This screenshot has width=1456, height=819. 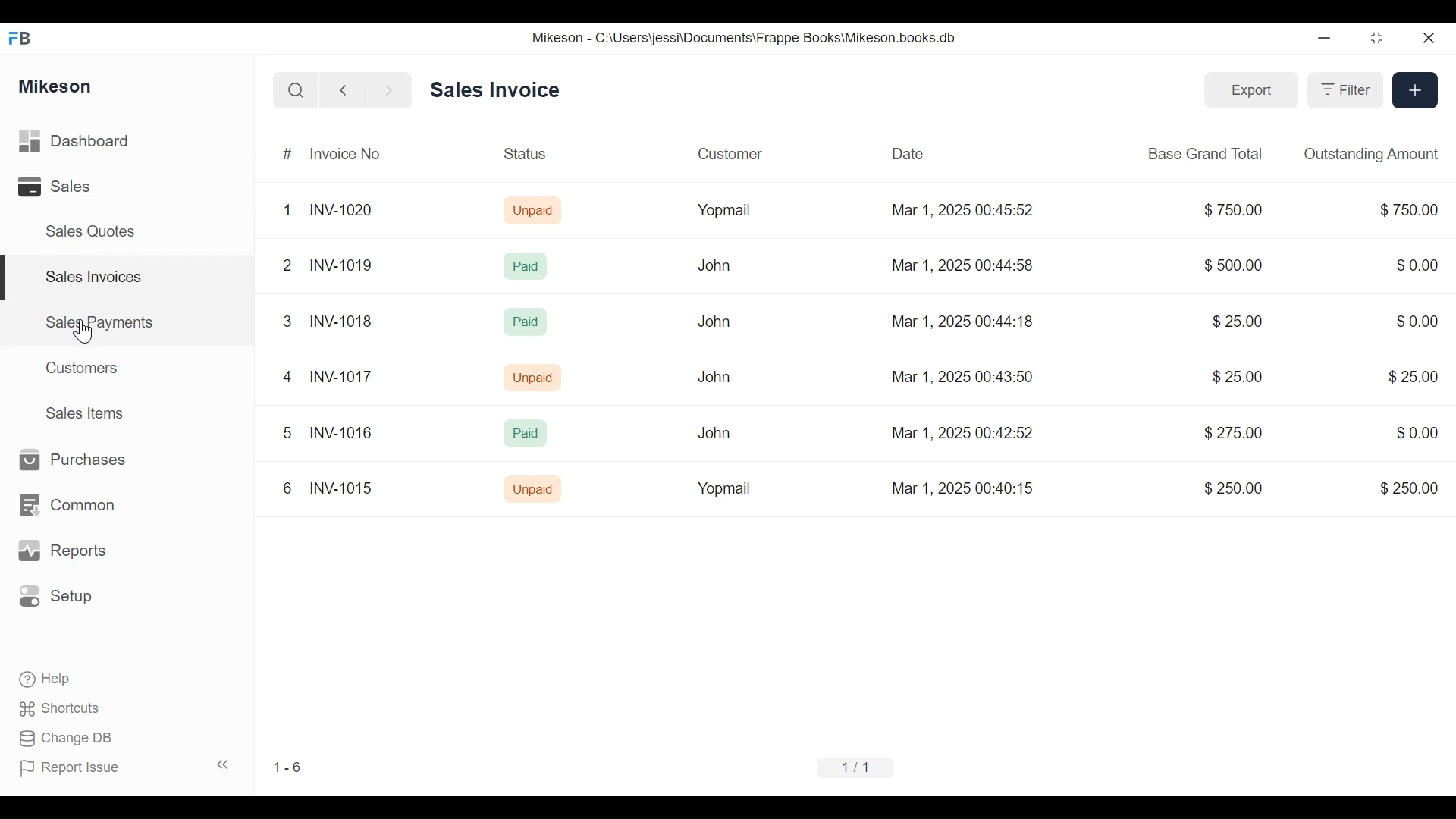 What do you see at coordinates (66, 704) in the screenshot?
I see `Shortcuts` at bounding box center [66, 704].